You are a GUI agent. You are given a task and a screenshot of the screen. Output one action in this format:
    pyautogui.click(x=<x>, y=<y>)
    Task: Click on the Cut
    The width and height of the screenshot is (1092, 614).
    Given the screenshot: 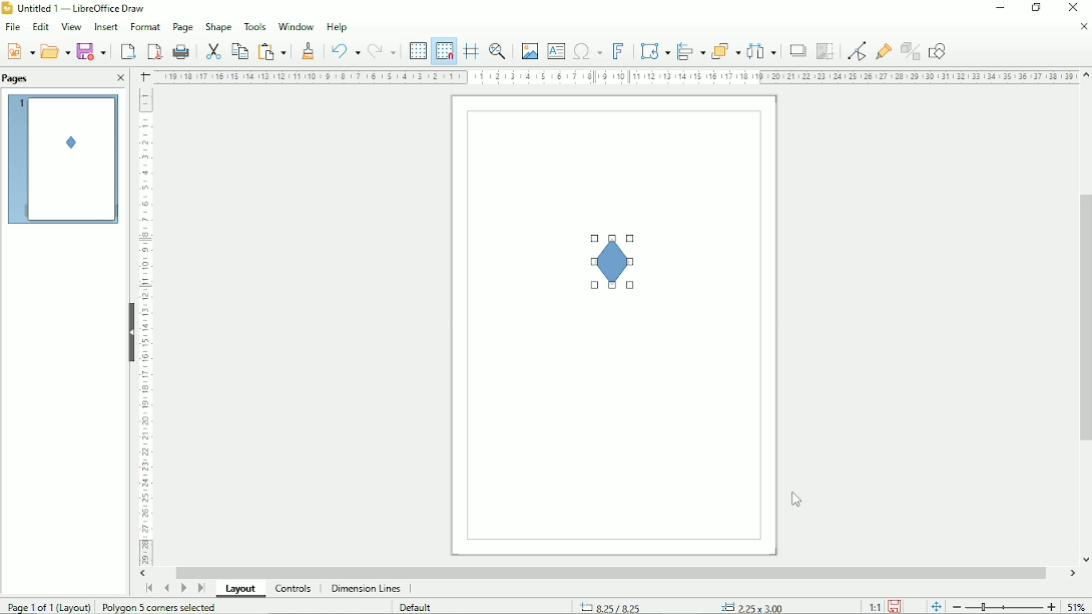 What is the action you would take?
    pyautogui.click(x=212, y=50)
    